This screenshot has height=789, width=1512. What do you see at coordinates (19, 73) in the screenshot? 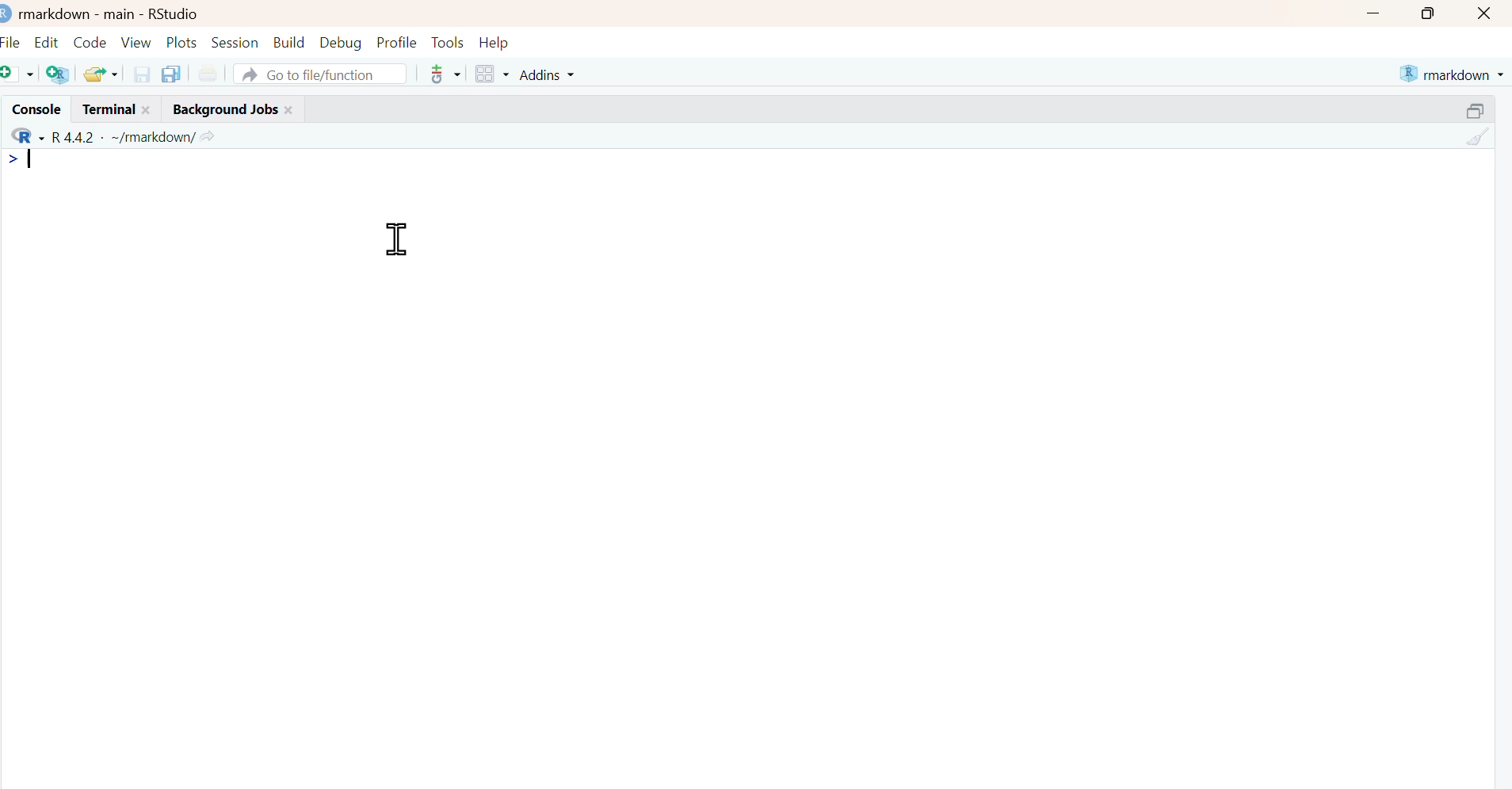
I see `new file` at bounding box center [19, 73].